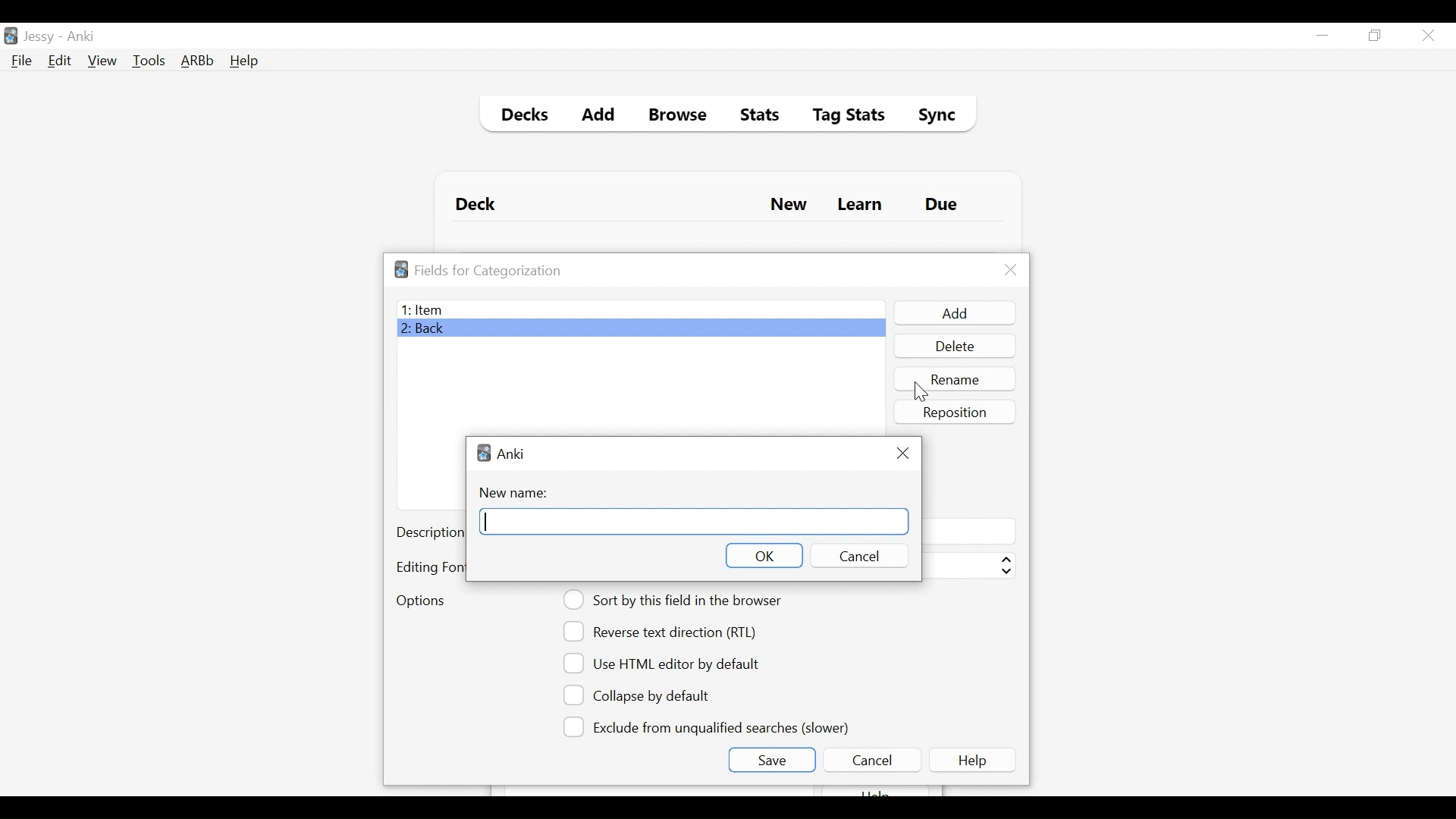  What do you see at coordinates (599, 117) in the screenshot?
I see `Add` at bounding box center [599, 117].